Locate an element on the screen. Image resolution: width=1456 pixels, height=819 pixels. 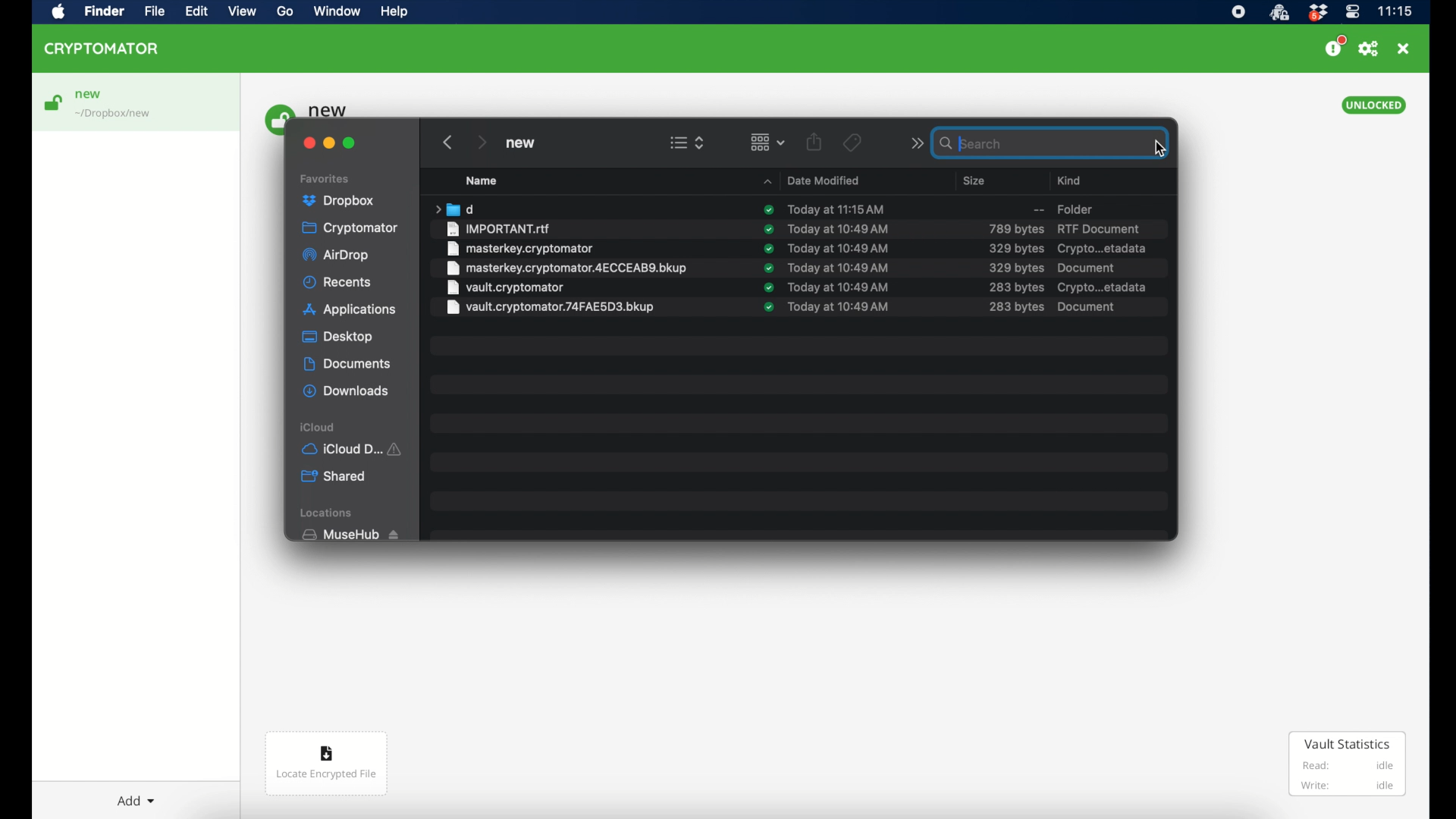
vault statistics is located at coordinates (1348, 763).